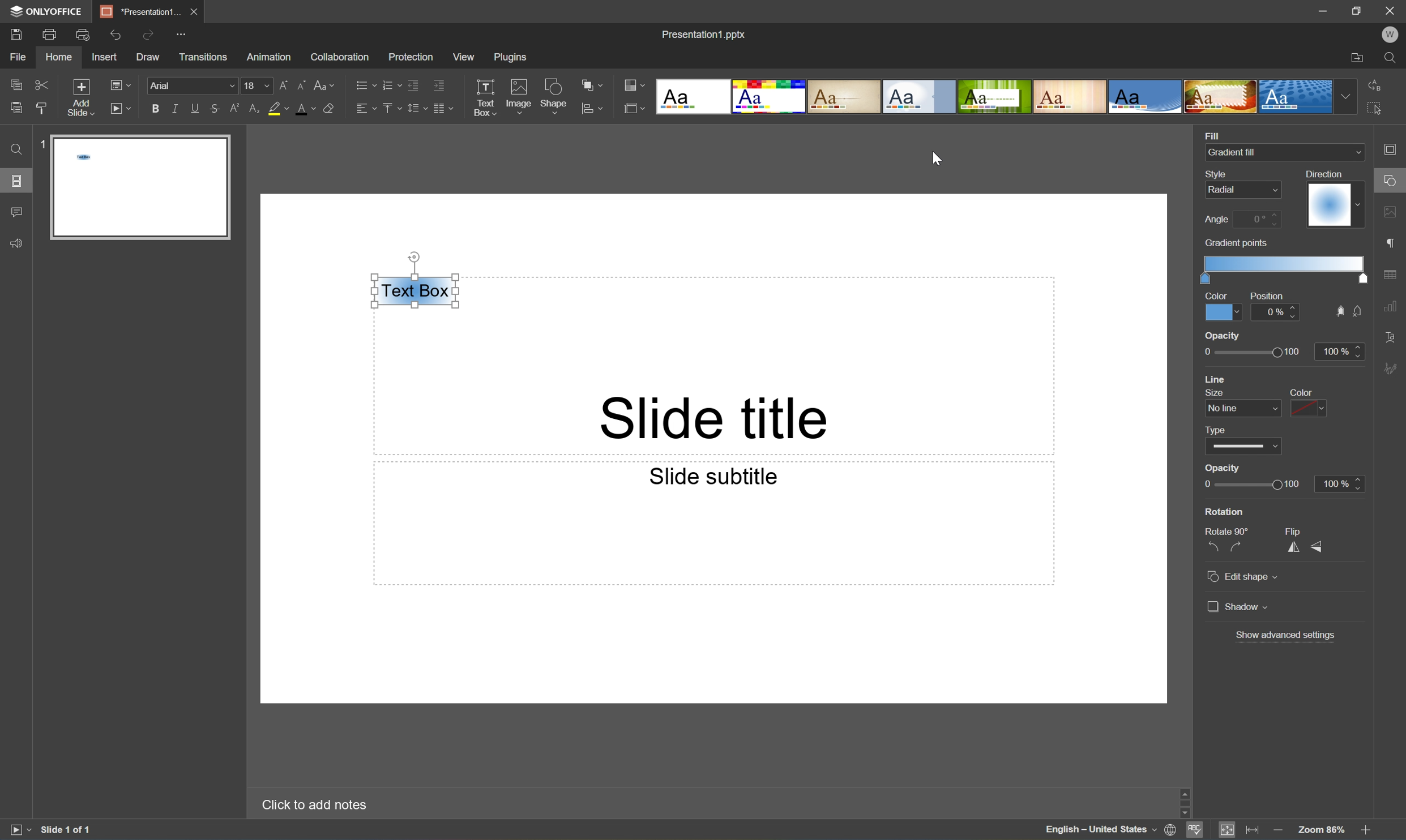 This screenshot has width=1406, height=840. What do you see at coordinates (21, 56) in the screenshot?
I see `File` at bounding box center [21, 56].